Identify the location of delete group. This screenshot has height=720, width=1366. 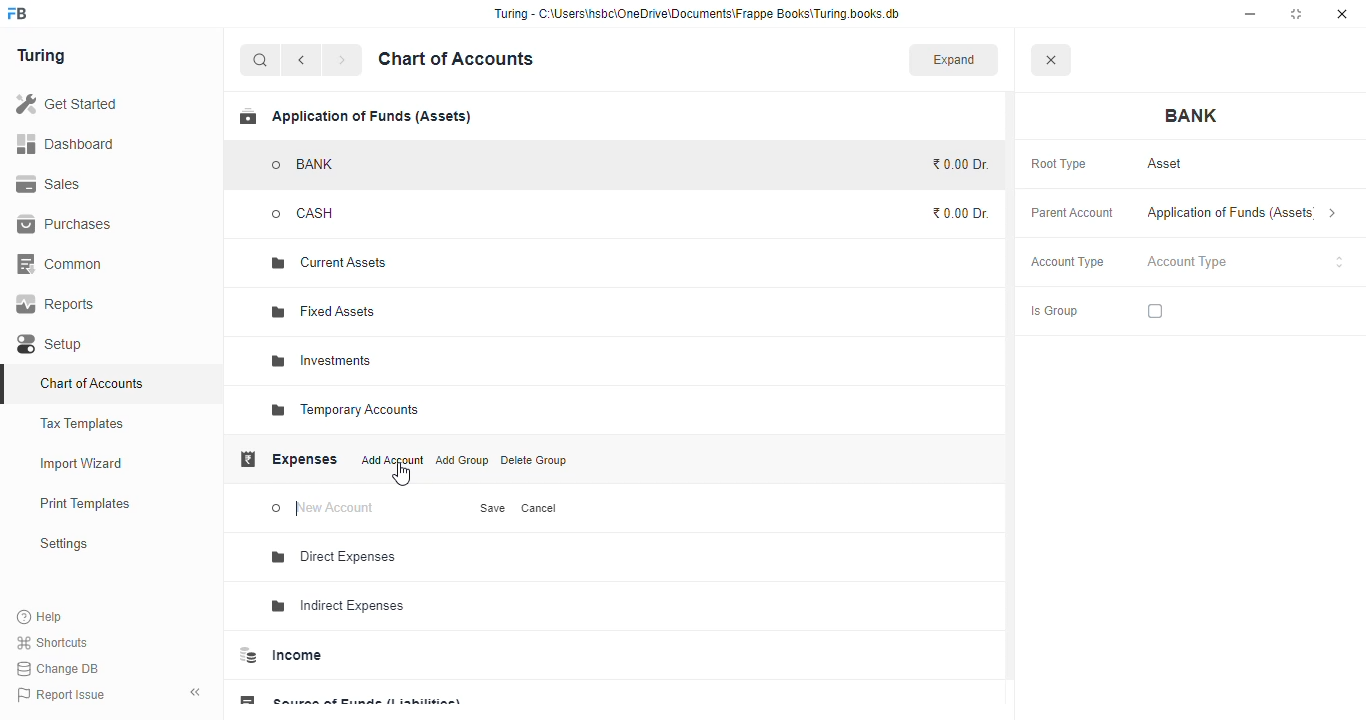
(533, 460).